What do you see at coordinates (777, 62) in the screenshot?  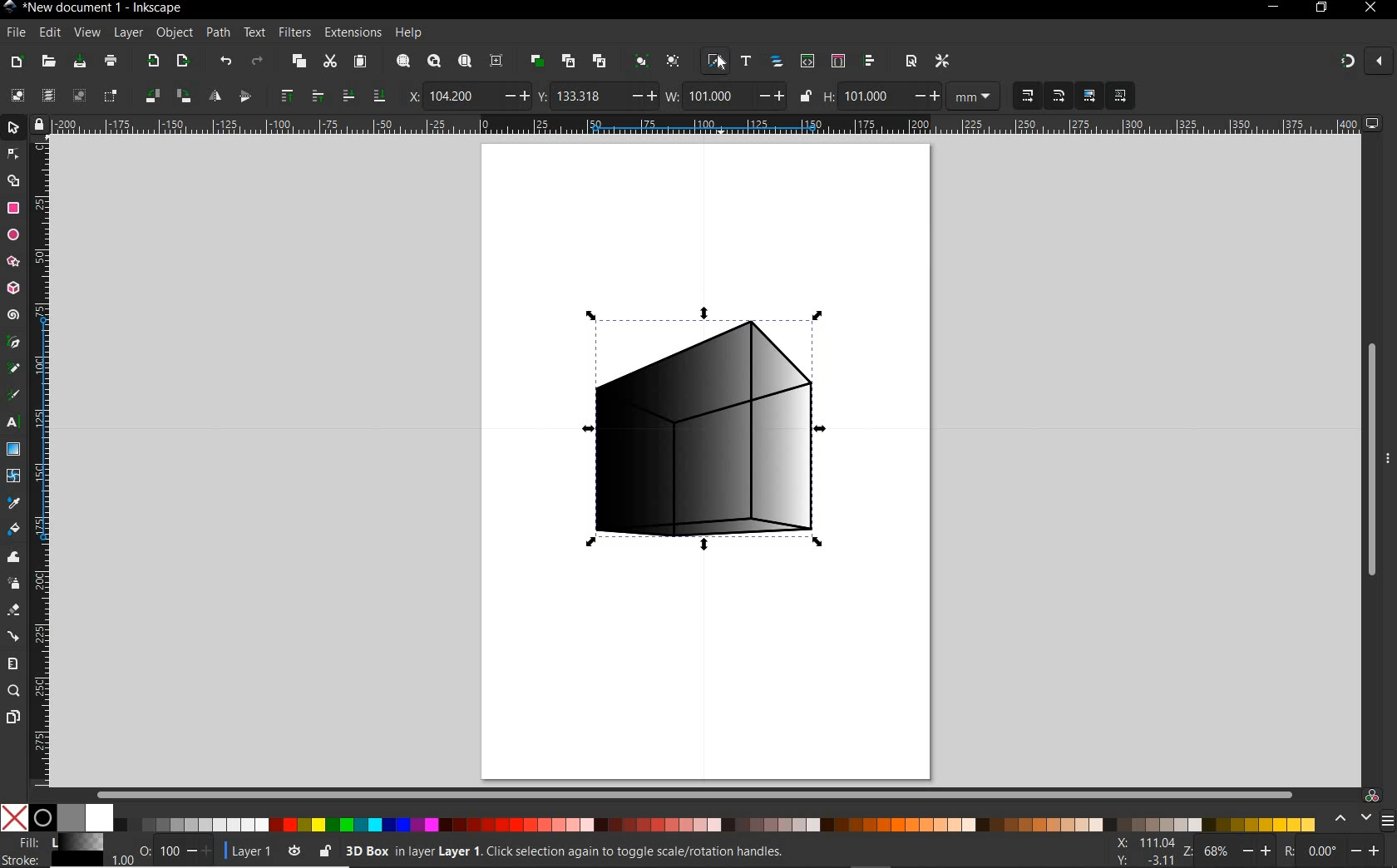 I see `OPEN OBJECTS` at bounding box center [777, 62].